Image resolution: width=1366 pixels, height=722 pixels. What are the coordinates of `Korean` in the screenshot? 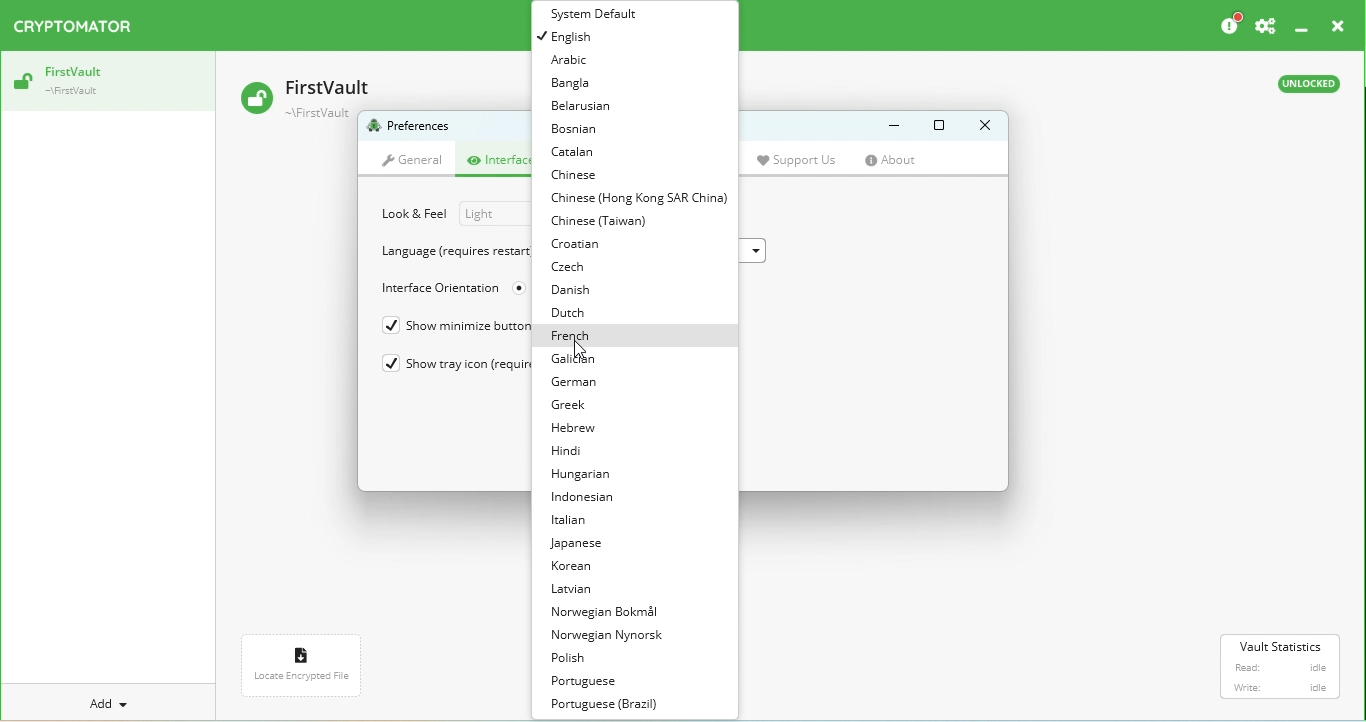 It's located at (578, 566).